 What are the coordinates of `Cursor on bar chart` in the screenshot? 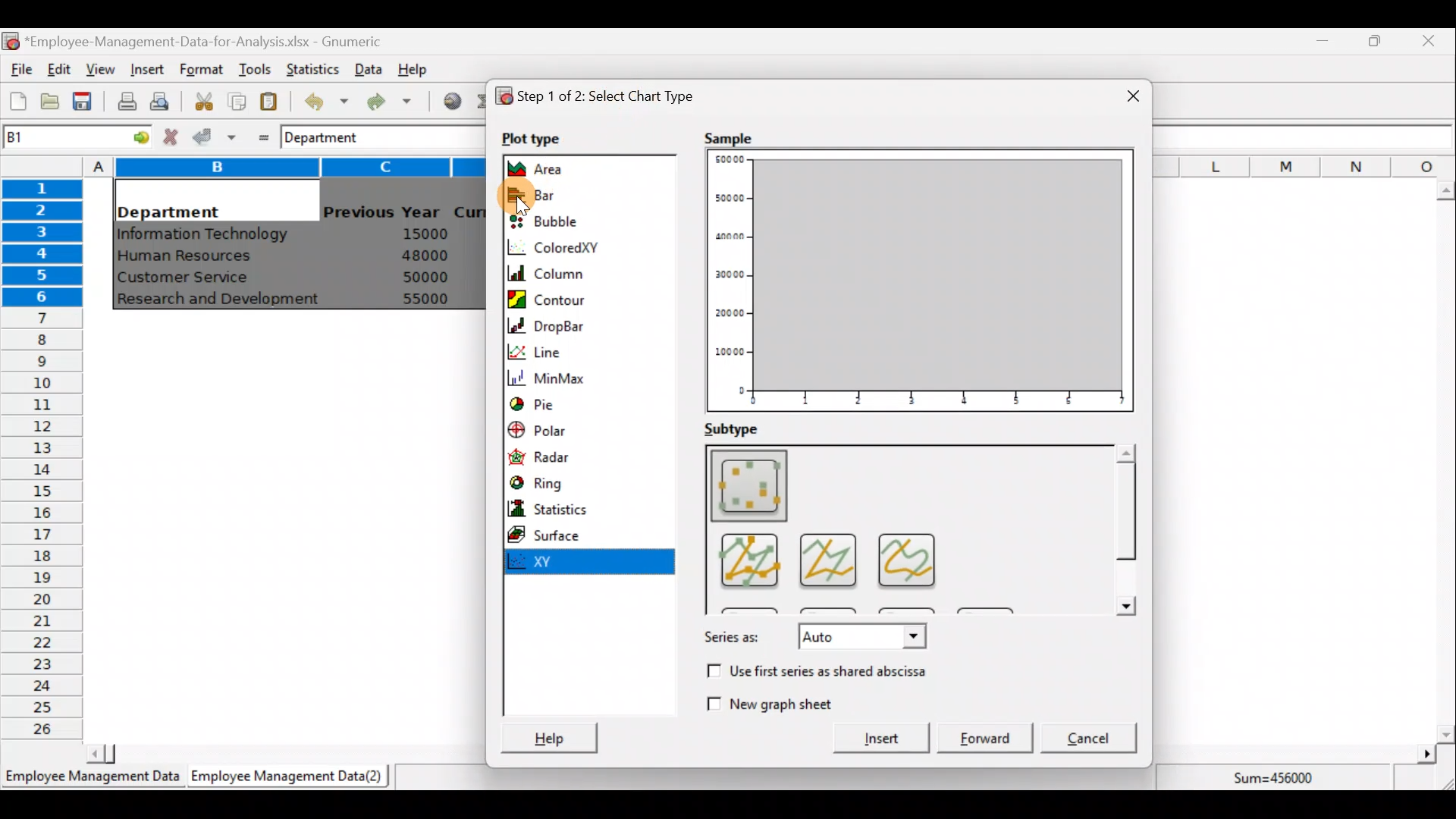 It's located at (524, 196).